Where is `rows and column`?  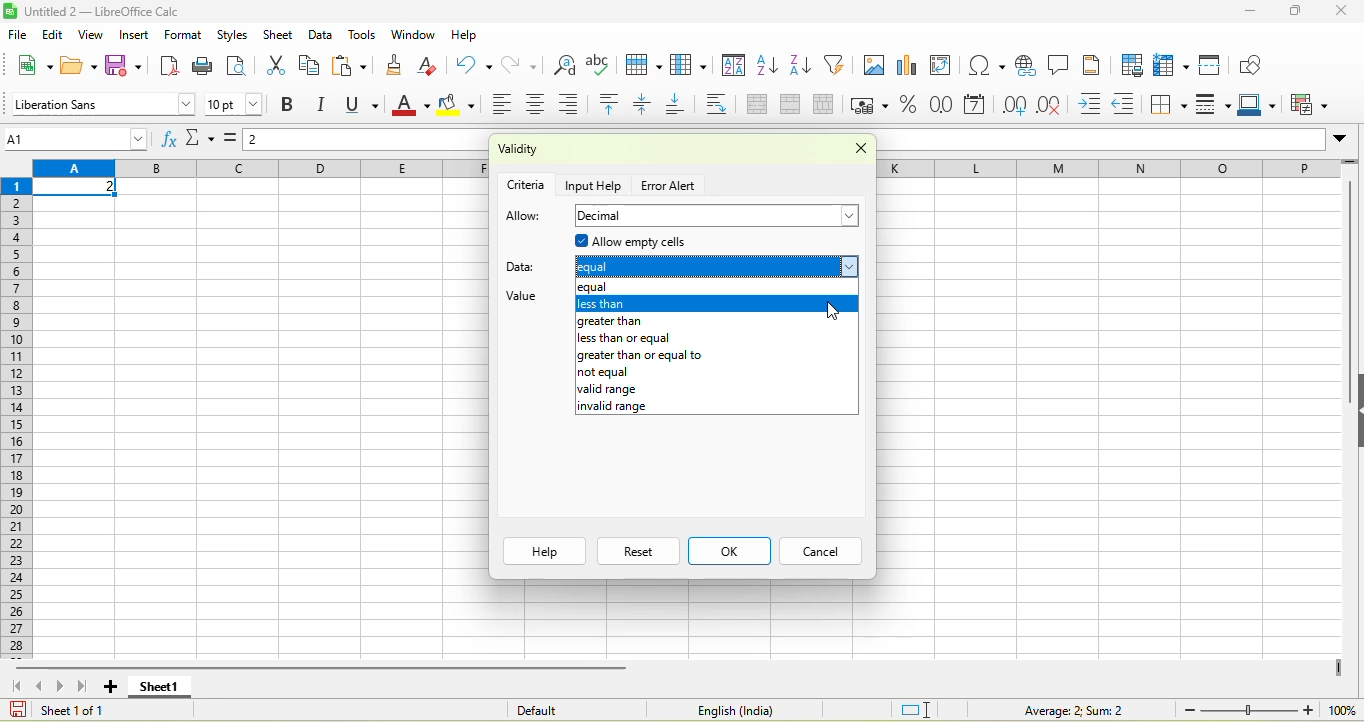 rows and column is located at coordinates (1173, 65).